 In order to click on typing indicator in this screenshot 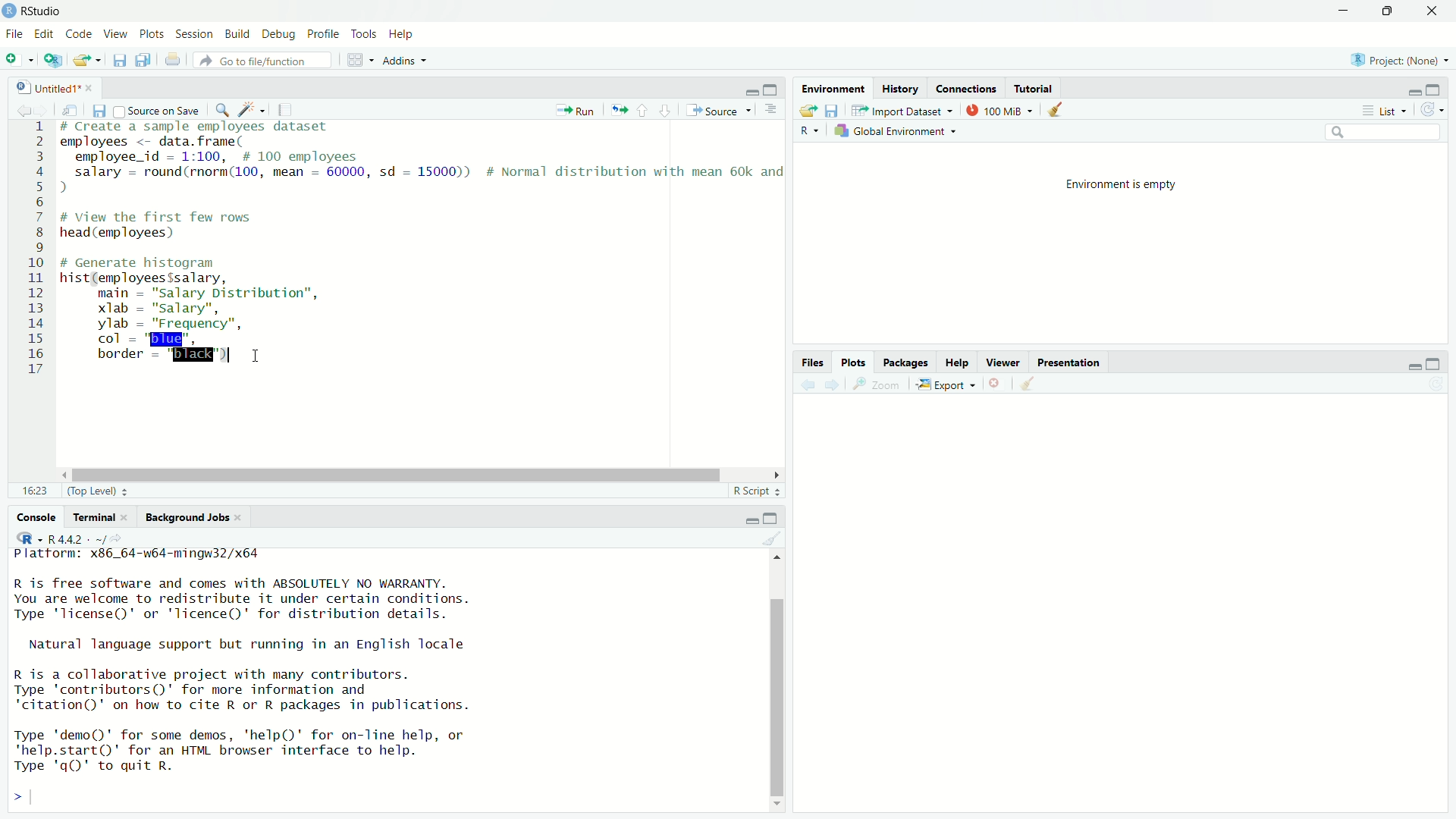, I will do `click(232, 356)`.